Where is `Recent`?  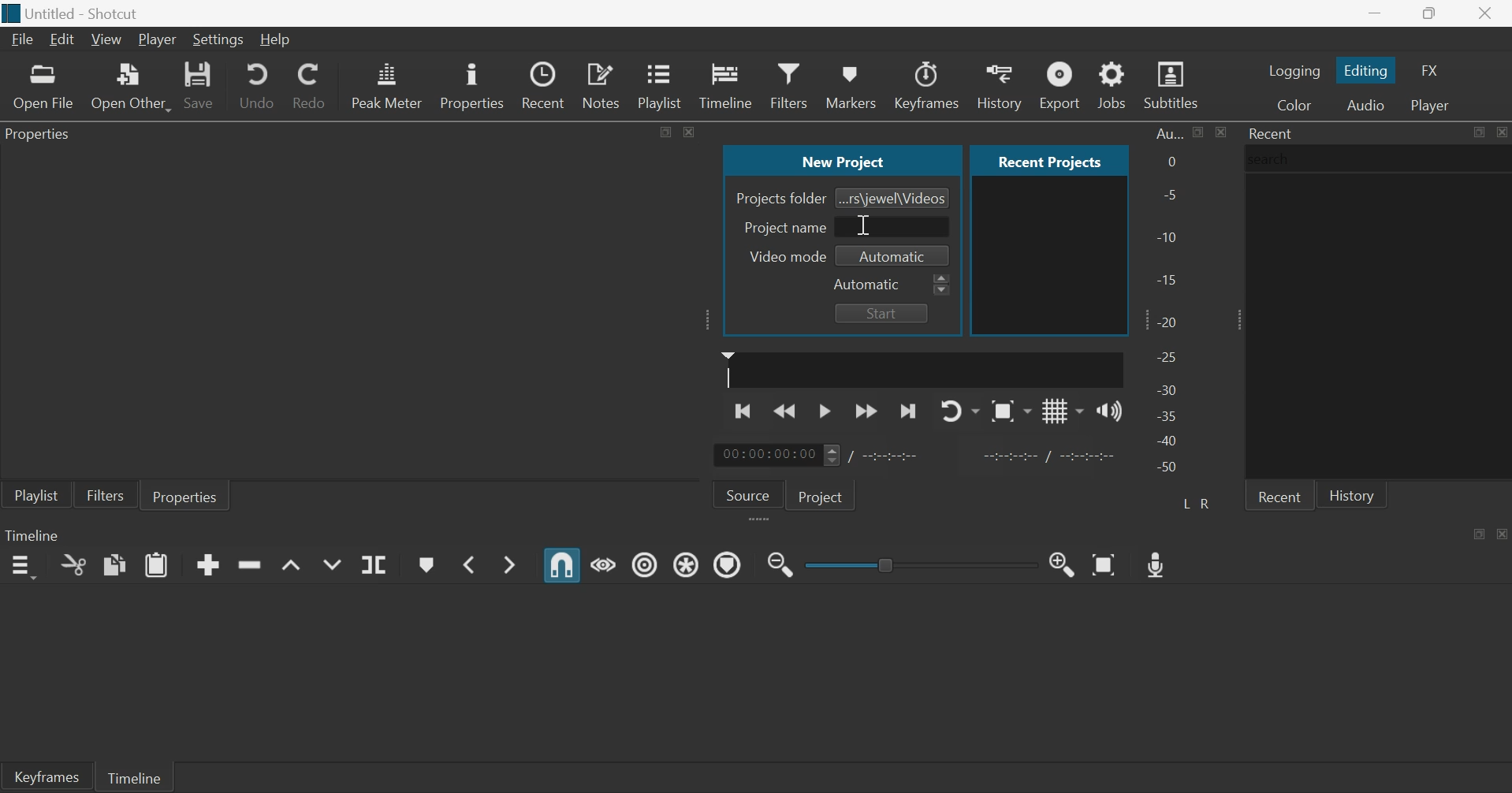
Recent is located at coordinates (1279, 495).